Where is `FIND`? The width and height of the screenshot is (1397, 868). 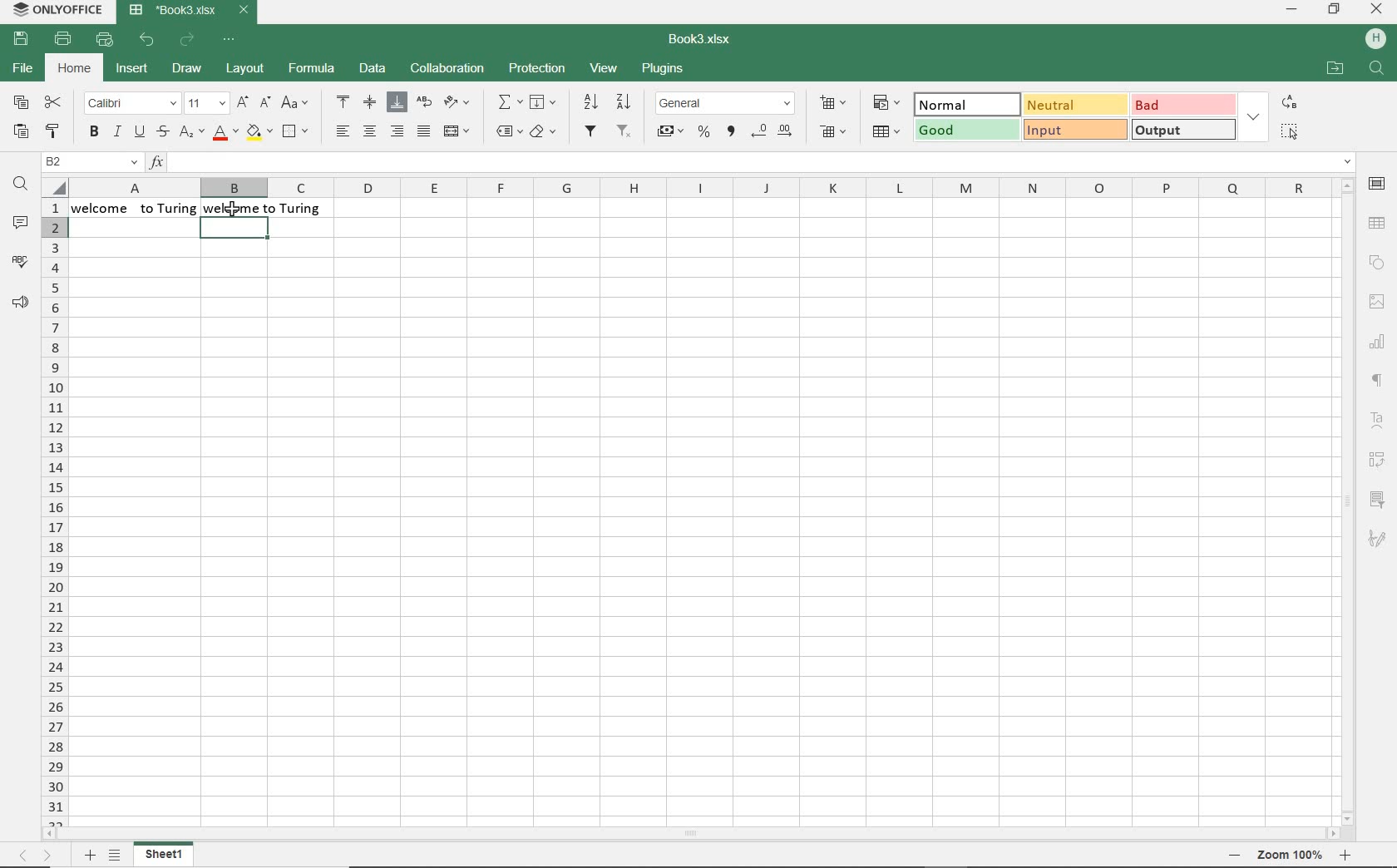
FIND is located at coordinates (1376, 67).